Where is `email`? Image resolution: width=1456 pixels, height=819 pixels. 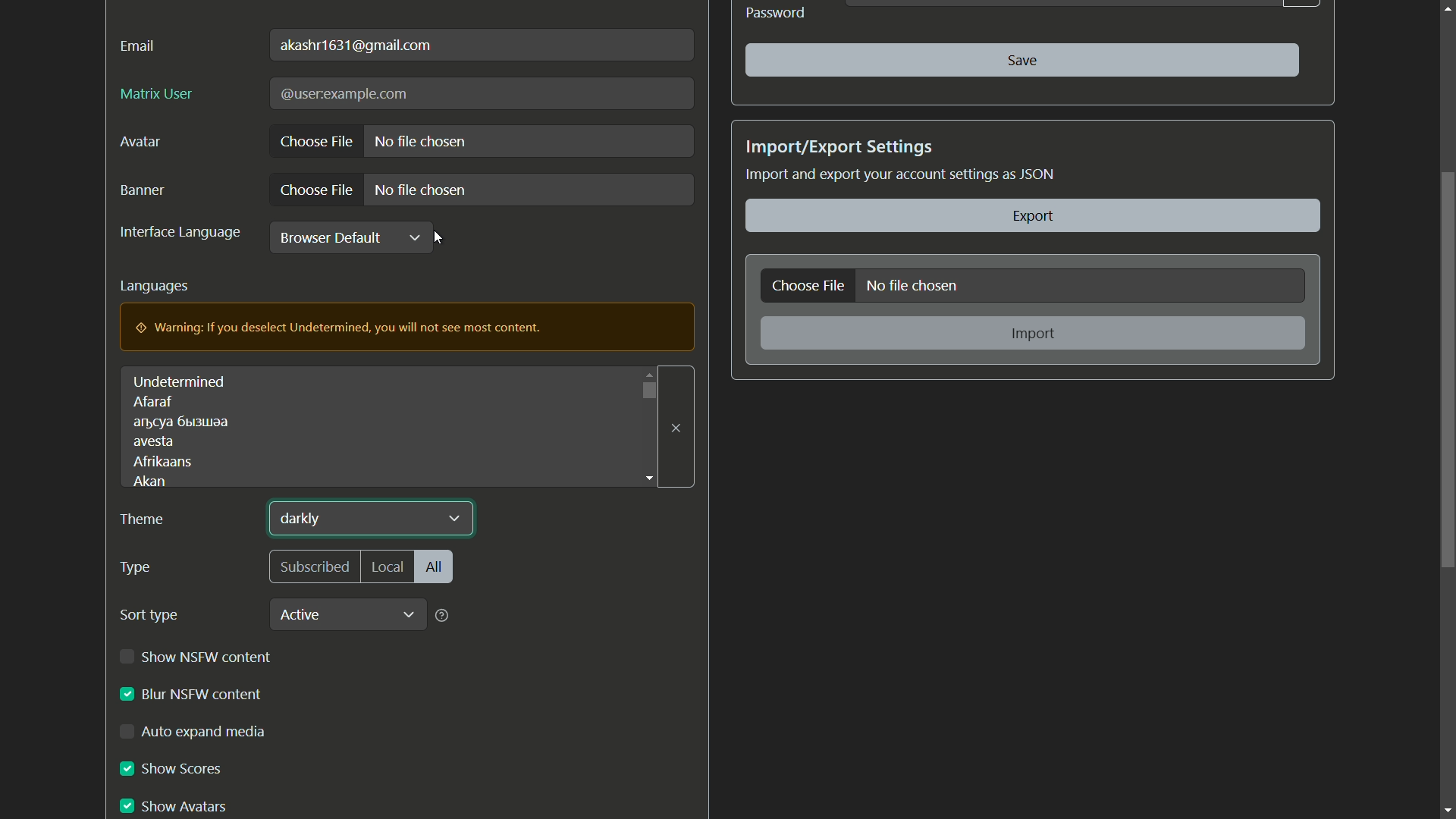 email is located at coordinates (138, 45).